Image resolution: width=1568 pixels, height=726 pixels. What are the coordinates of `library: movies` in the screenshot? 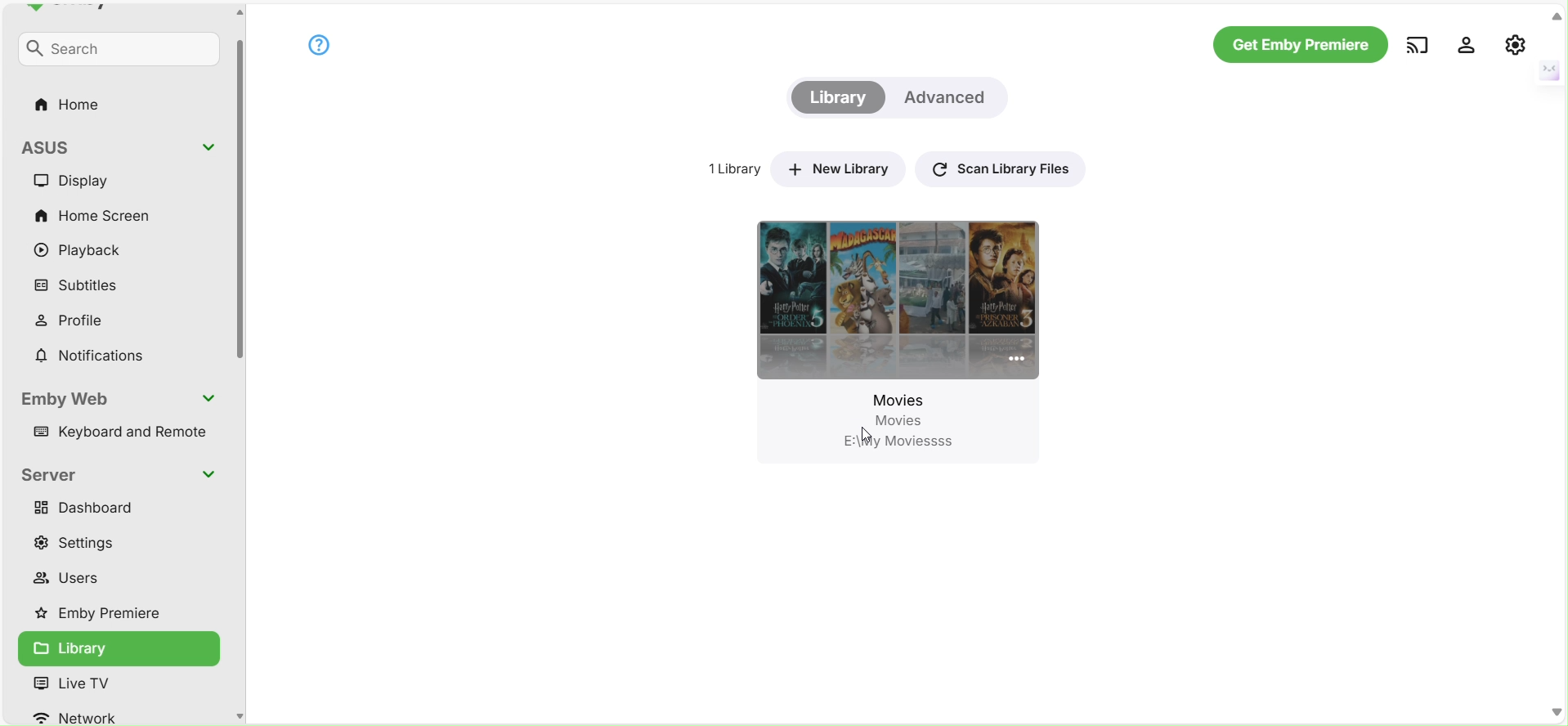 It's located at (861, 322).